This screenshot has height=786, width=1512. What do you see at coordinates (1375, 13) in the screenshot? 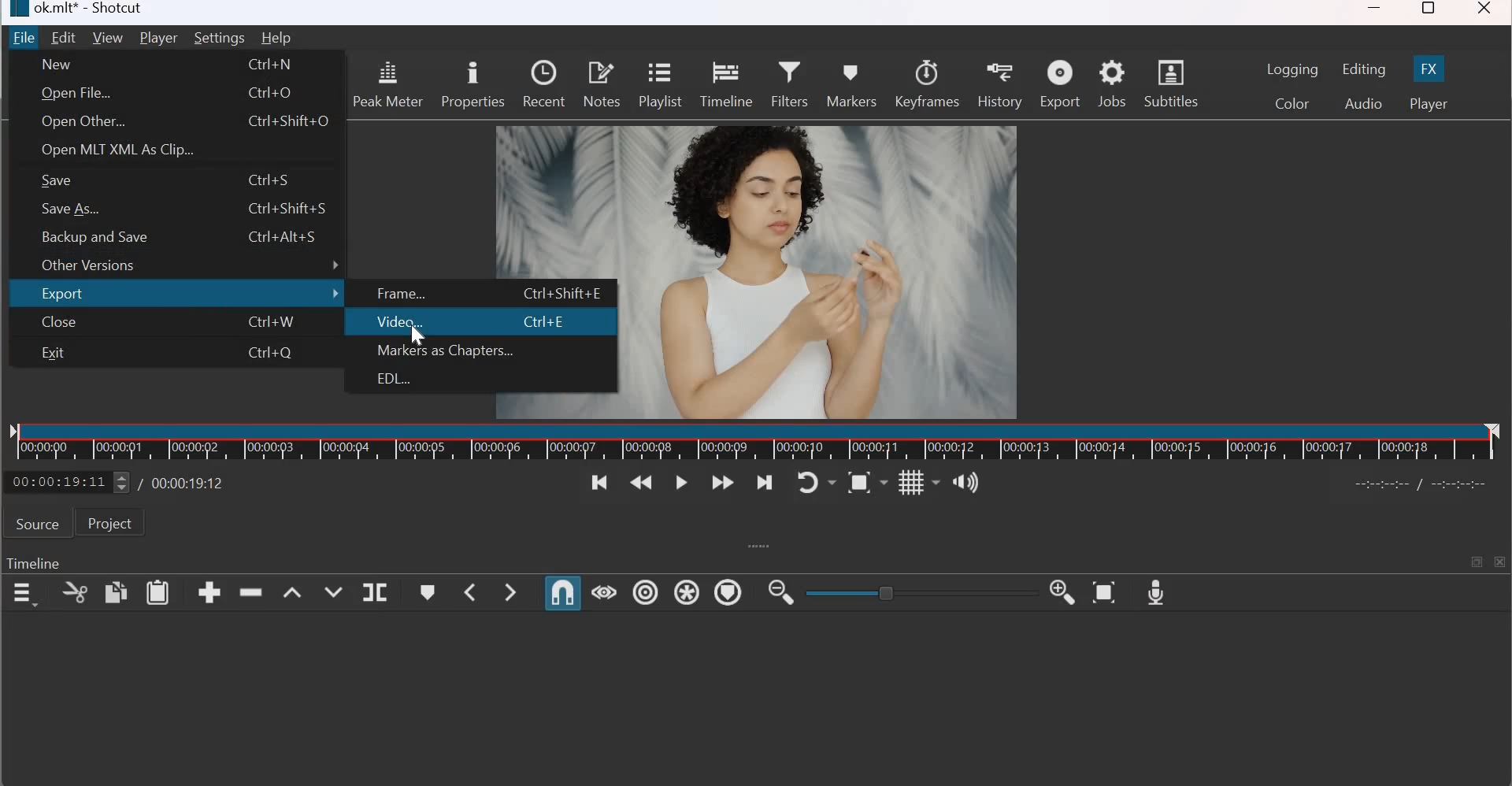
I see `Minimize` at bounding box center [1375, 13].